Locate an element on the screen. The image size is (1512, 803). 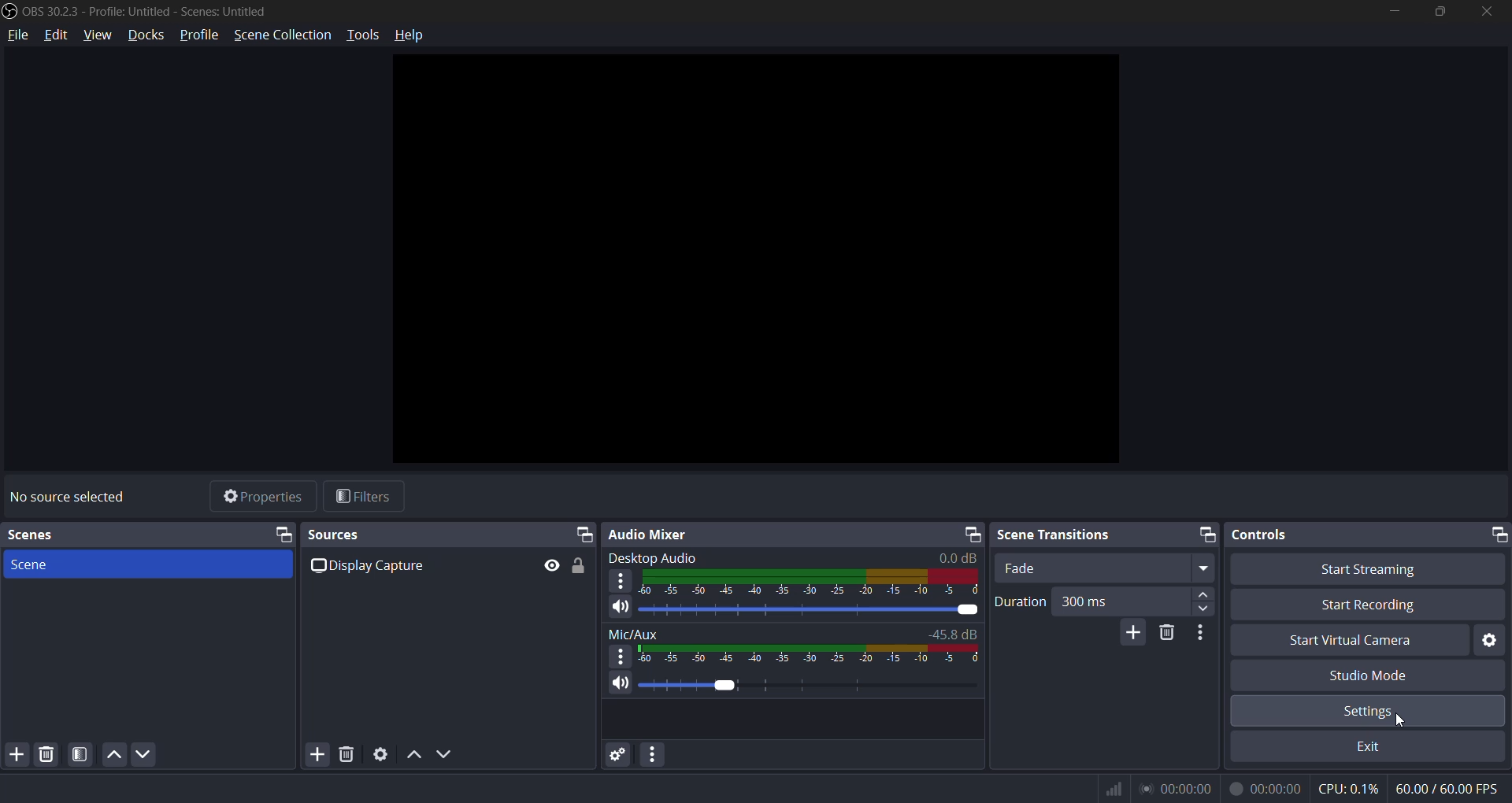
float window is located at coordinates (583, 534).